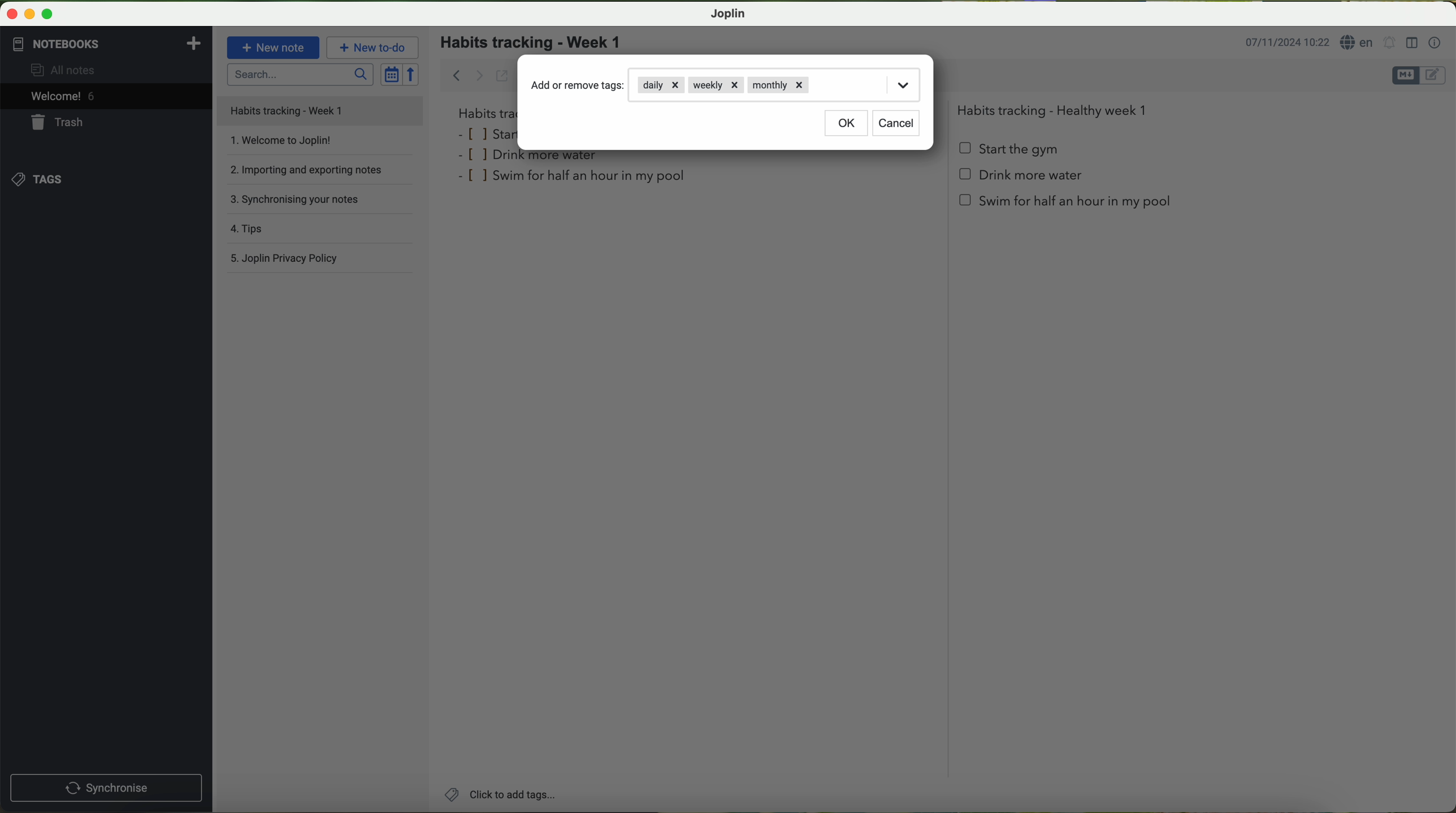  What do you see at coordinates (48, 14) in the screenshot?
I see `maximize` at bounding box center [48, 14].